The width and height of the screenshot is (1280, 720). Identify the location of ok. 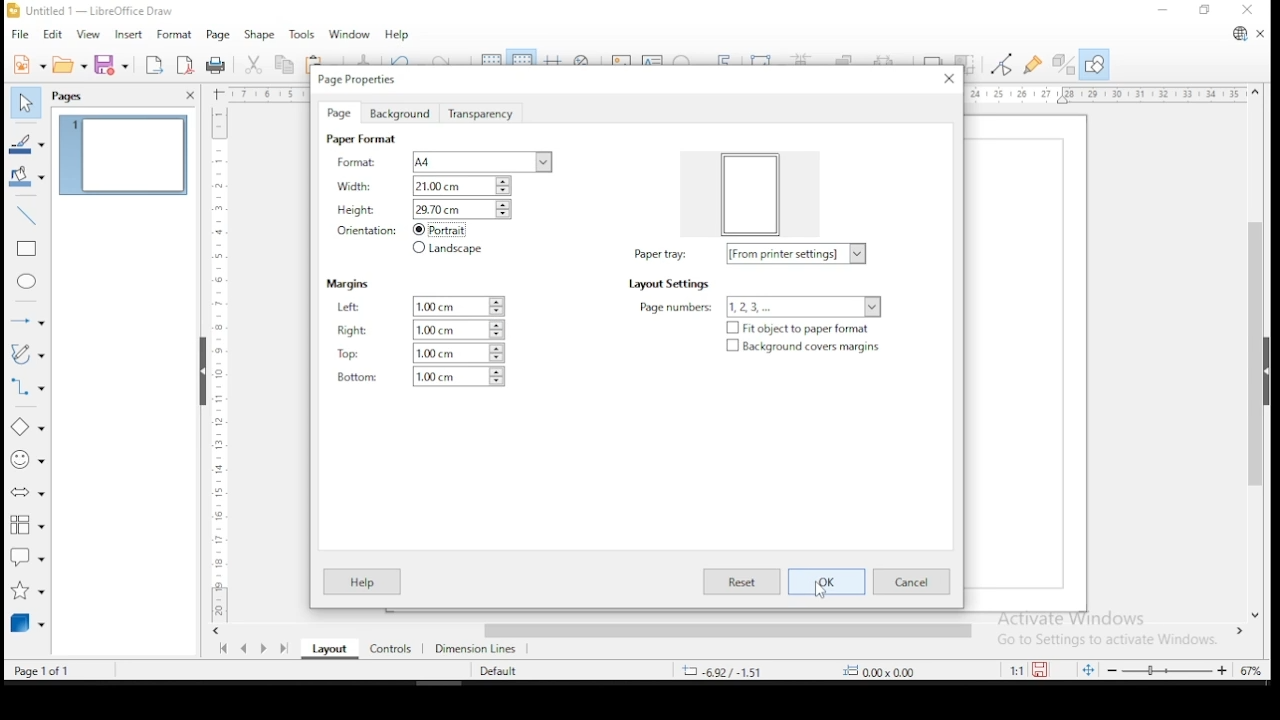
(828, 582).